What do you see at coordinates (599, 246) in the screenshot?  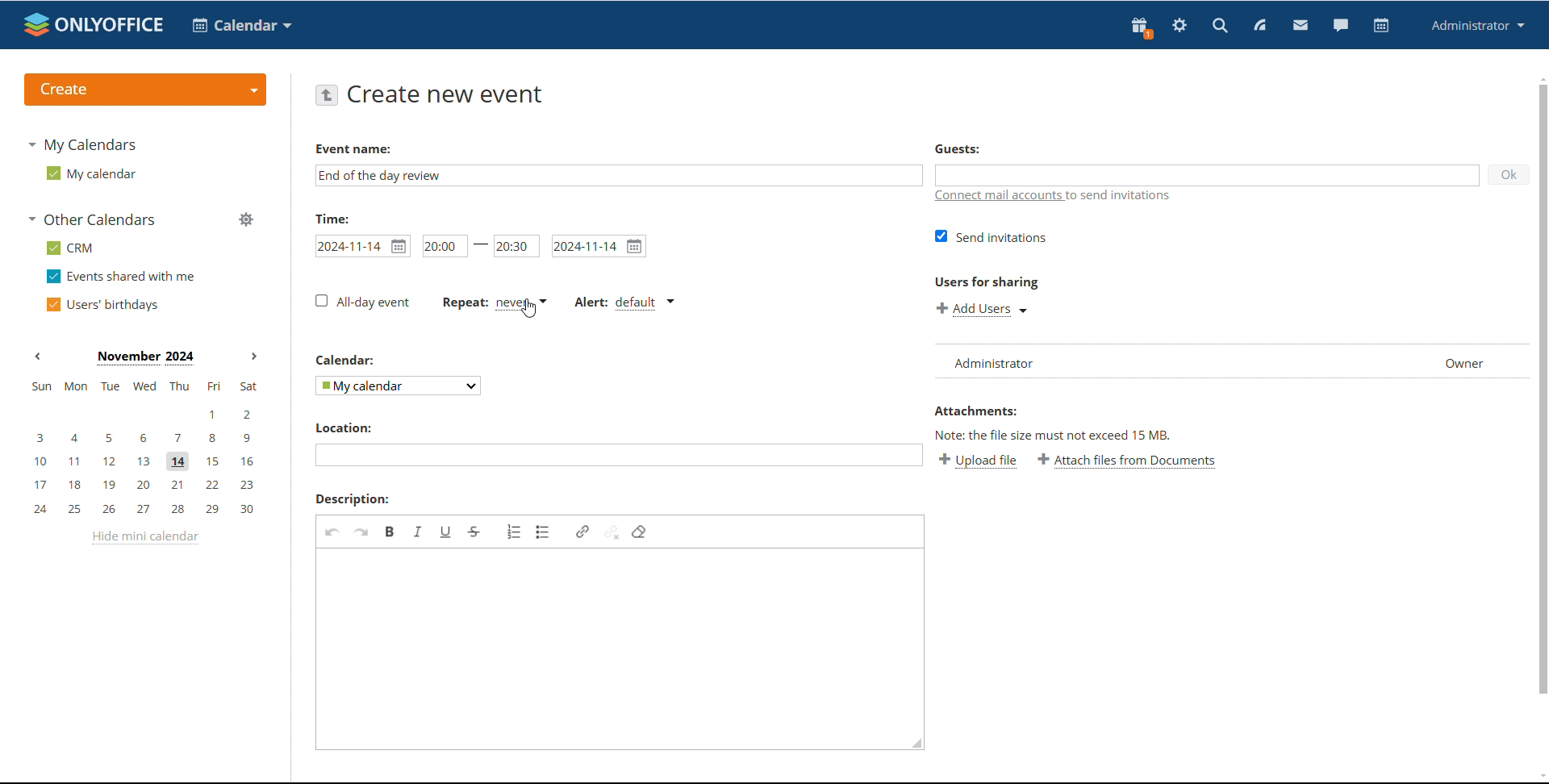 I see `set end date` at bounding box center [599, 246].